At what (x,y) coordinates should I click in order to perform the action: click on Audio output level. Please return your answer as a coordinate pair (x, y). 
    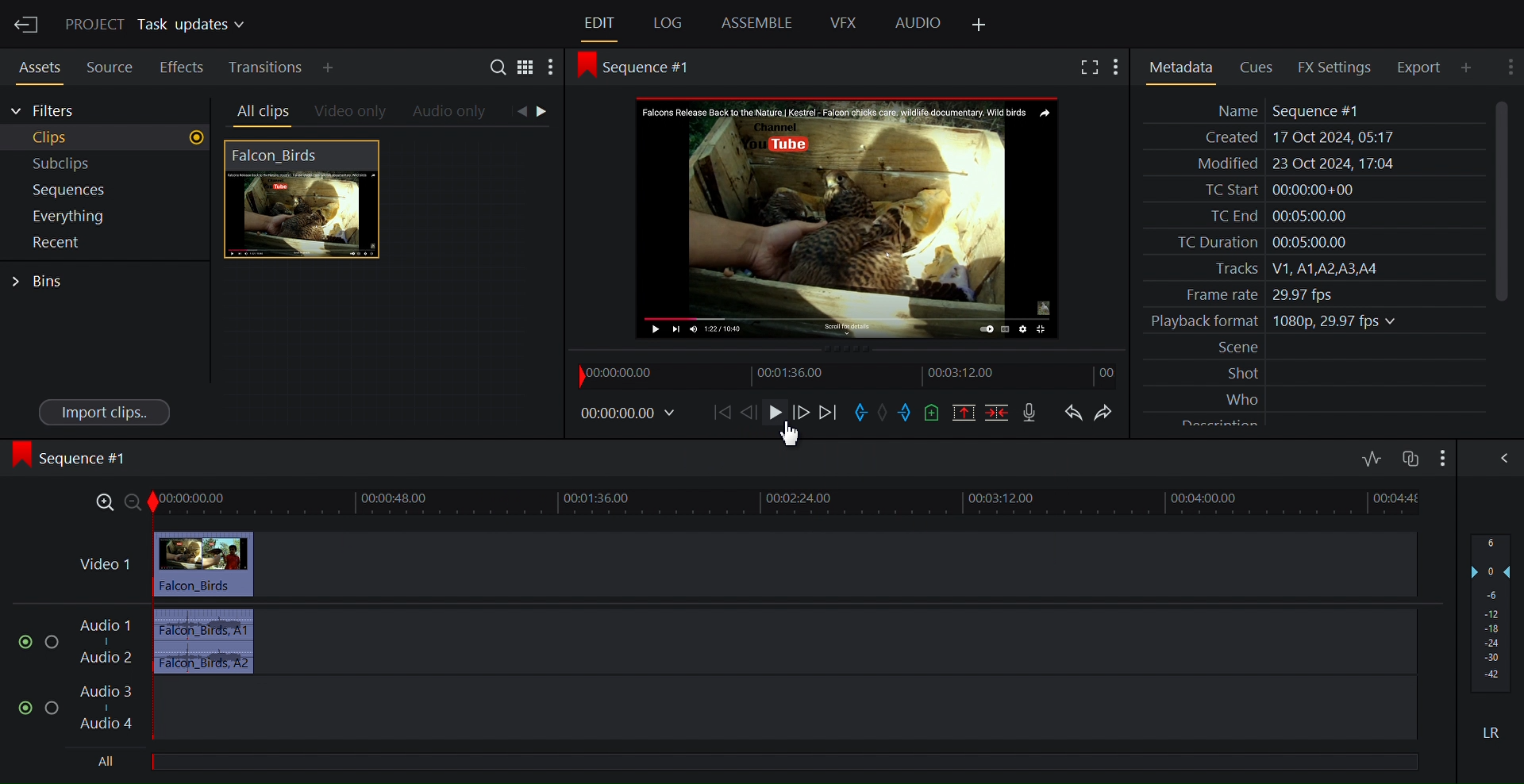
    Looking at the image, I should click on (1490, 612).